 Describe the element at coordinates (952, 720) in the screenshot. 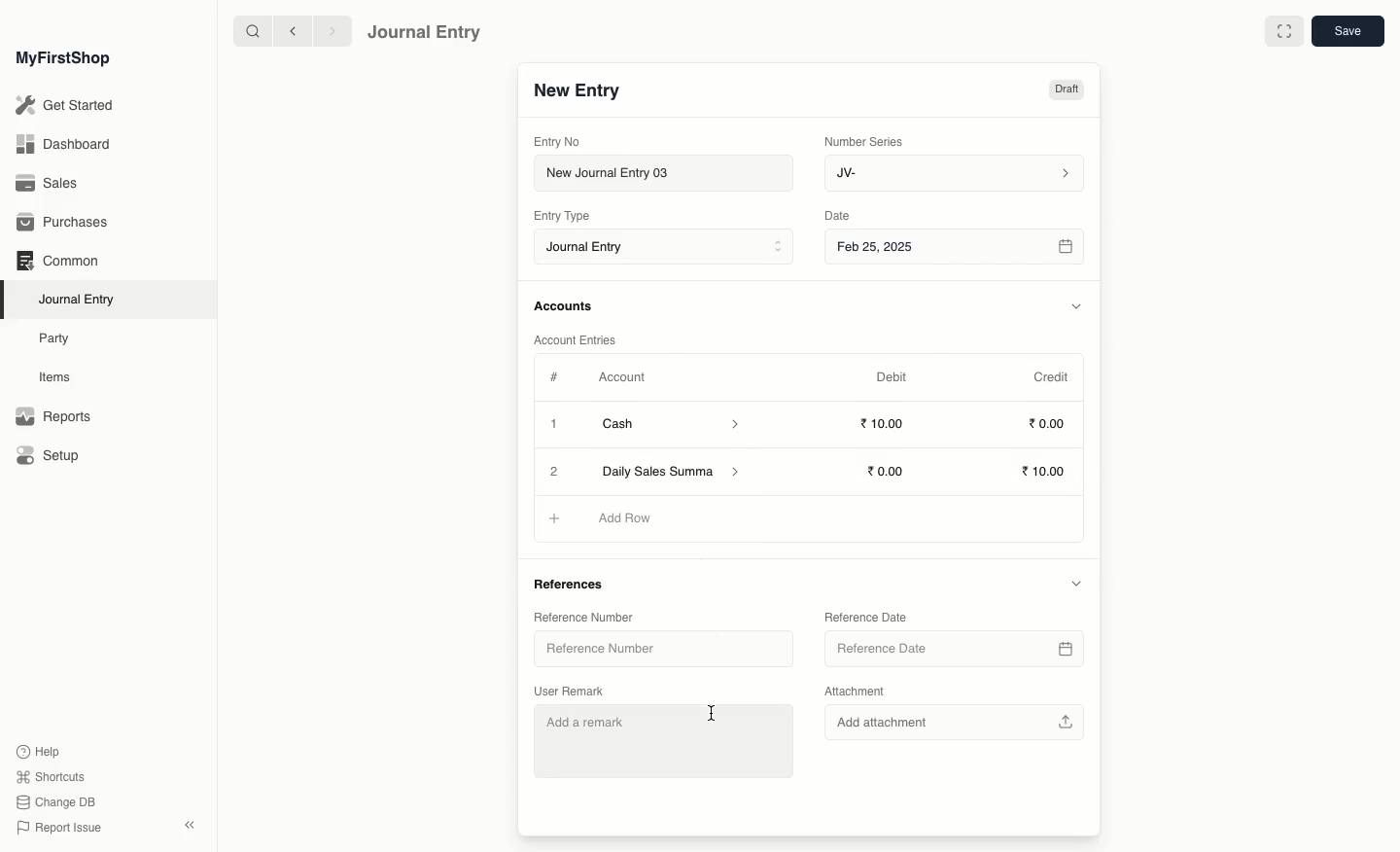

I see `Add attachment` at that location.